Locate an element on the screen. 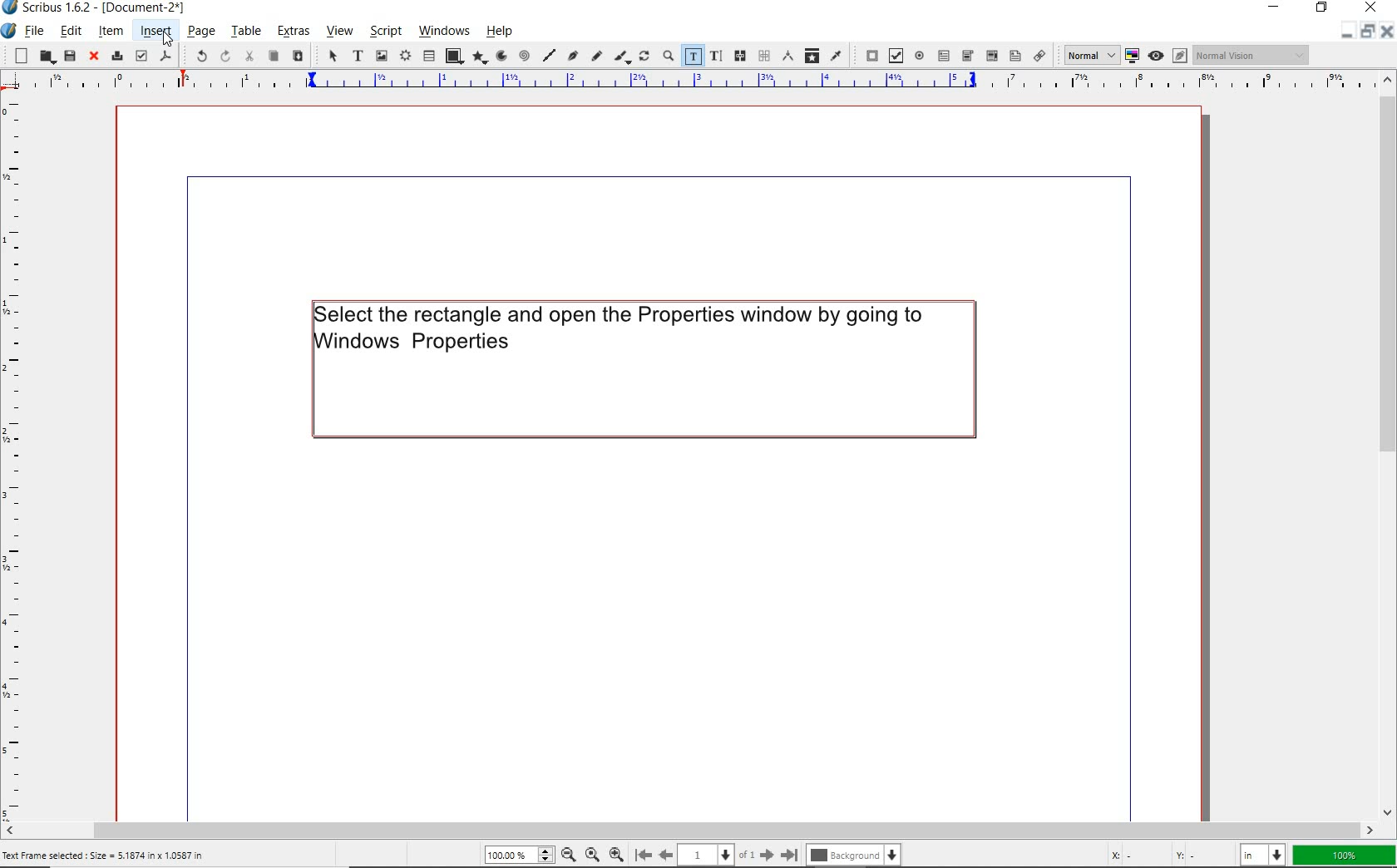  image frame is located at coordinates (381, 57).